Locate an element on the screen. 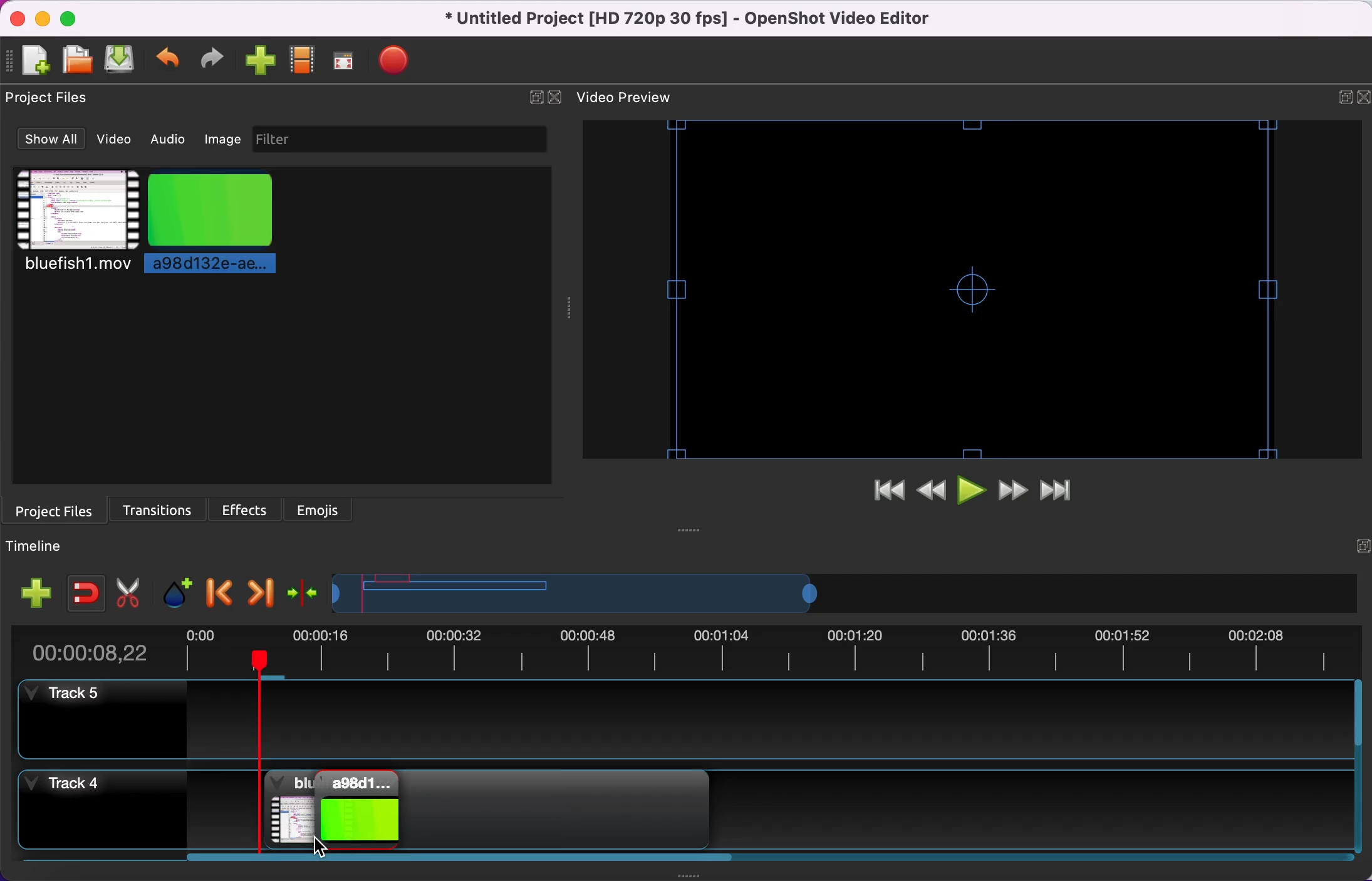 The width and height of the screenshot is (1372, 881). expand/hide is located at coordinates (1339, 93).